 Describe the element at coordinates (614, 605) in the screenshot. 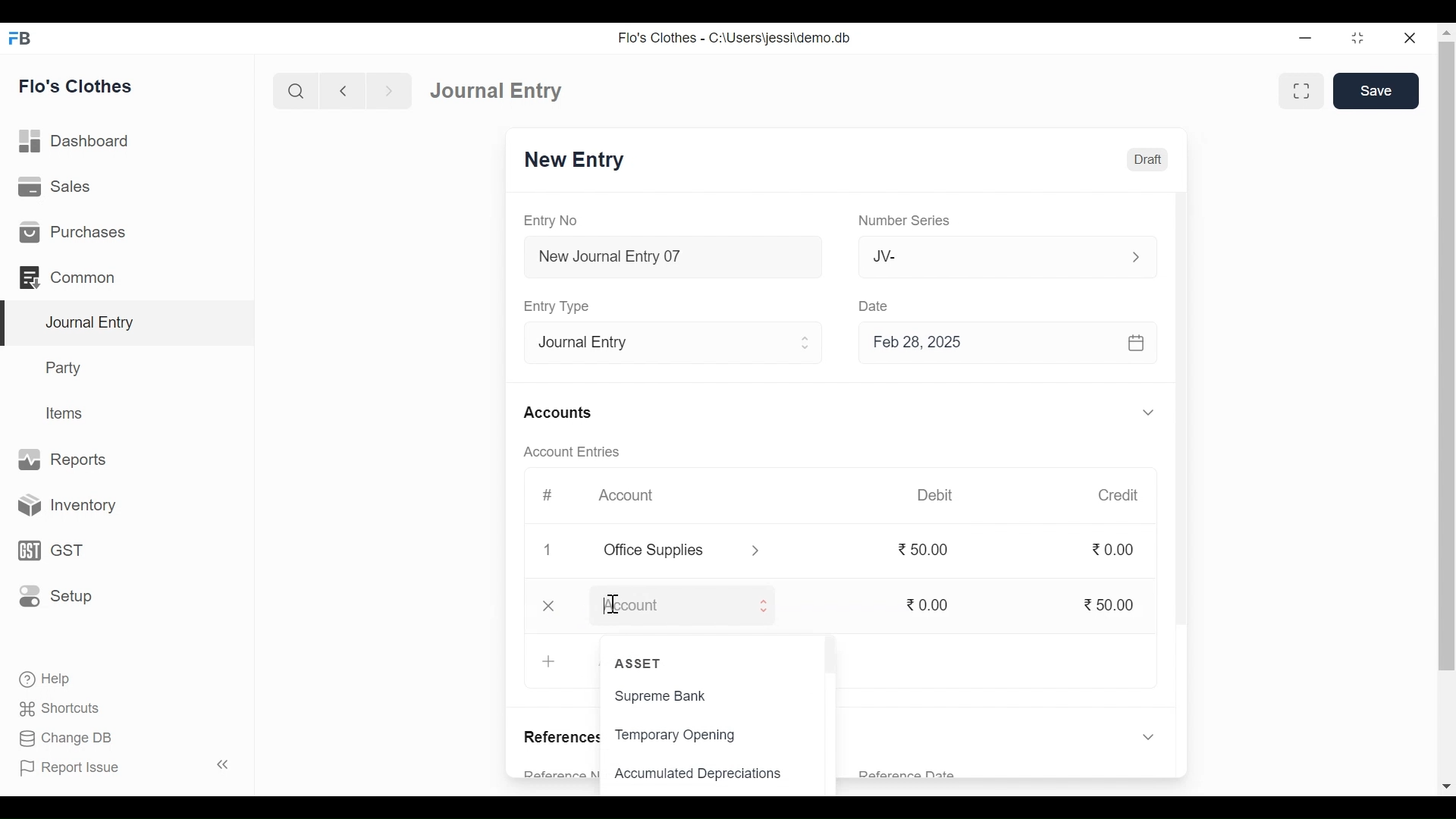

I see `Insertion Cursor` at that location.